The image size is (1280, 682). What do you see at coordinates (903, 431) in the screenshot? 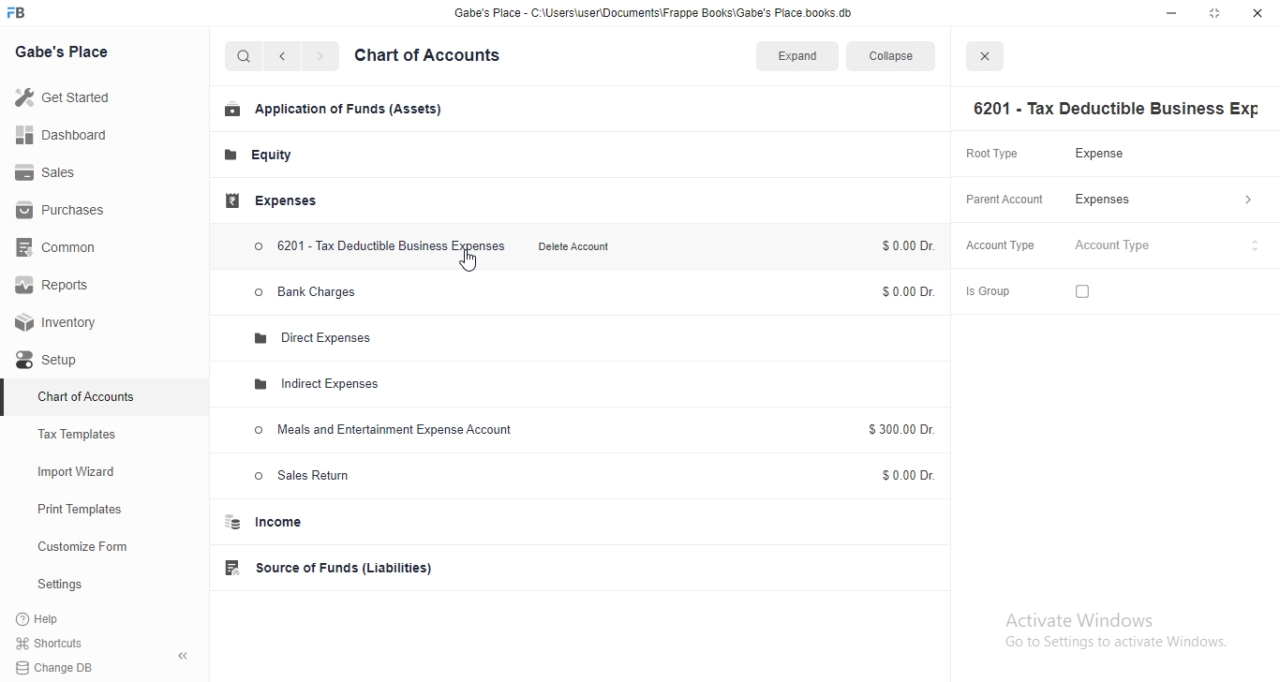
I see `$300.00 Dr.` at bounding box center [903, 431].